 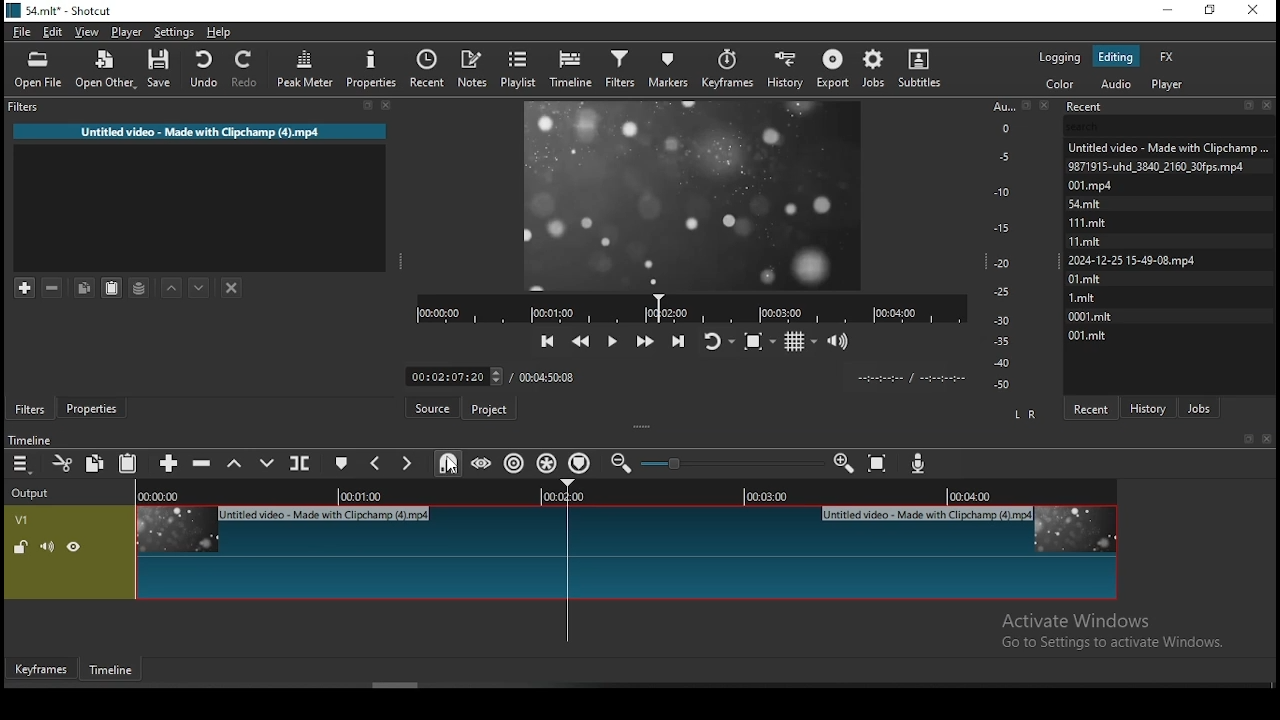 What do you see at coordinates (1118, 56) in the screenshot?
I see `editing` at bounding box center [1118, 56].